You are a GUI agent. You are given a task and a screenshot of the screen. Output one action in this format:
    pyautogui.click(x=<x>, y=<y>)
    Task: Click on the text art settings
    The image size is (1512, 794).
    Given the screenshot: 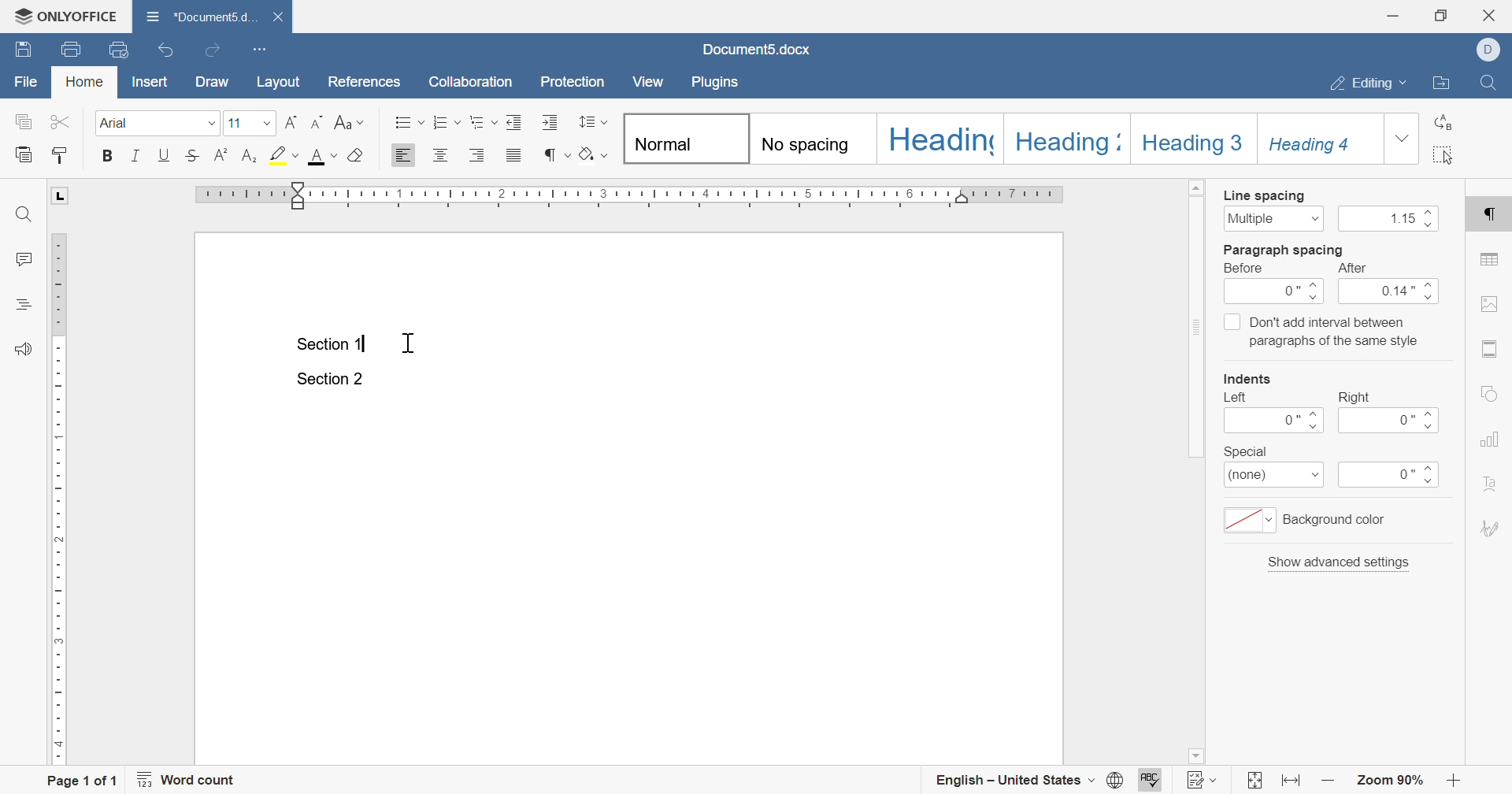 What is the action you would take?
    pyautogui.click(x=1488, y=482)
    